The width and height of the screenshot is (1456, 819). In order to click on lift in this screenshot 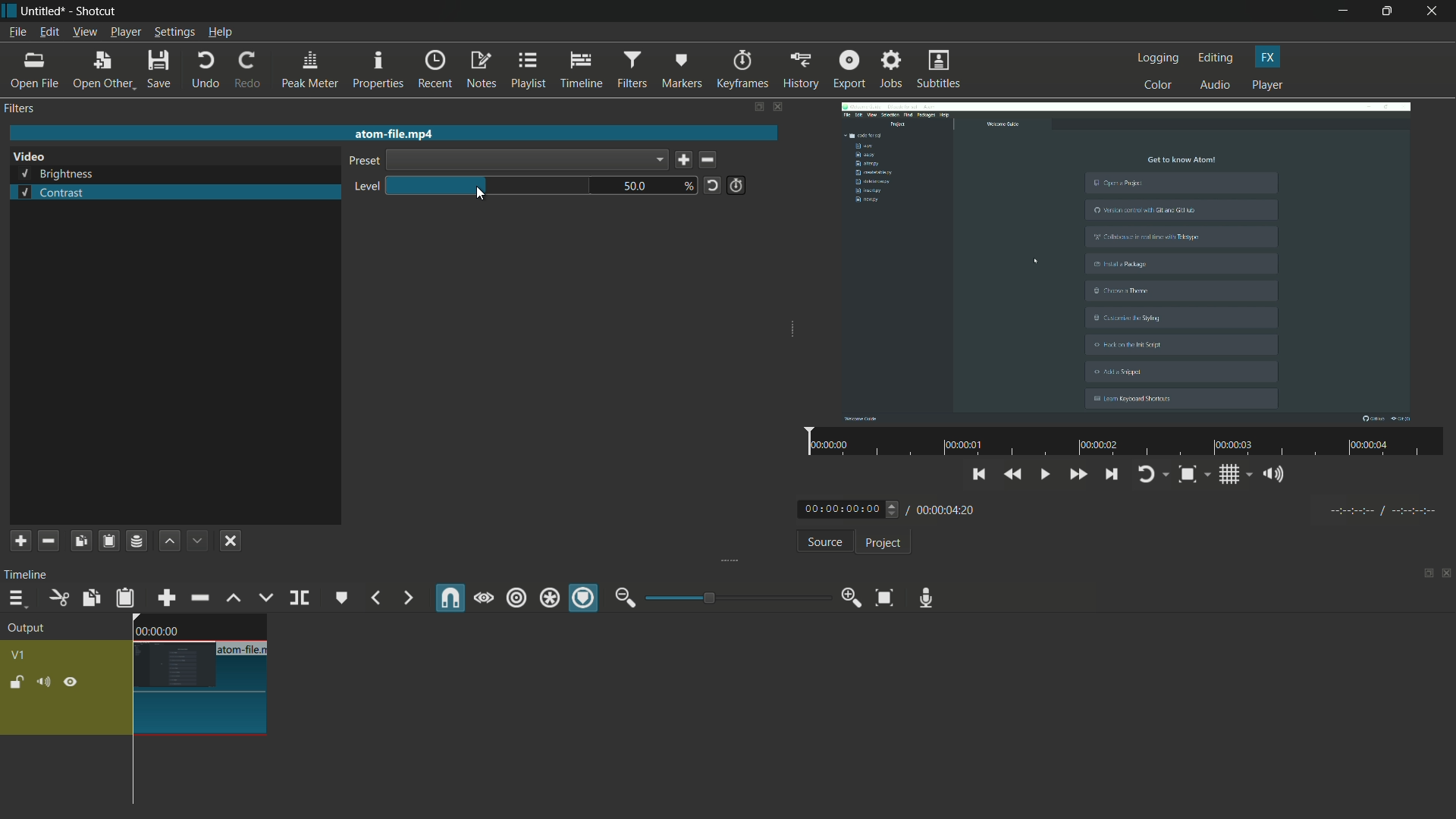, I will do `click(233, 598)`.